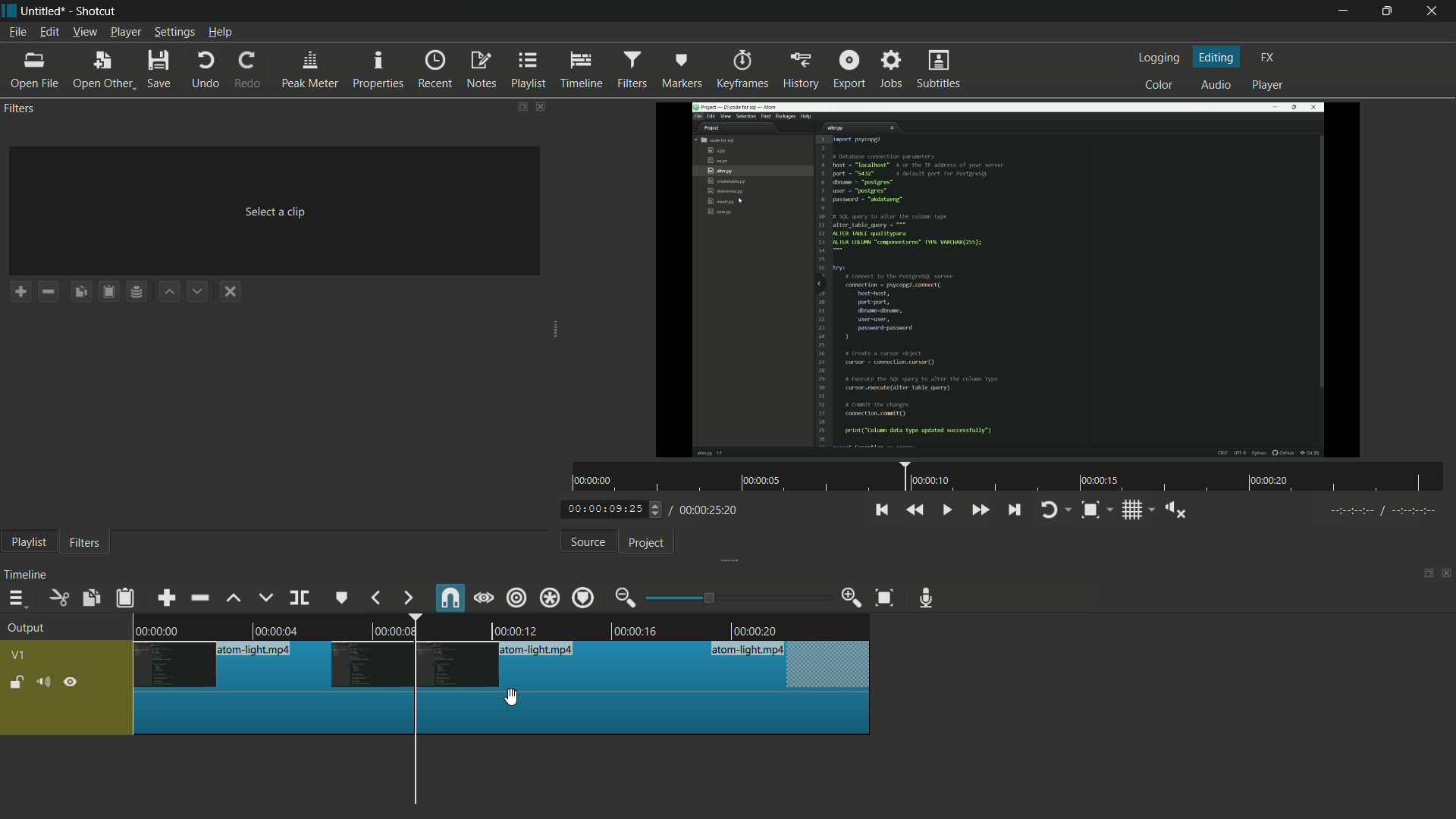 The height and width of the screenshot is (819, 1456). Describe the element at coordinates (1437, 11) in the screenshot. I see `close app` at that location.